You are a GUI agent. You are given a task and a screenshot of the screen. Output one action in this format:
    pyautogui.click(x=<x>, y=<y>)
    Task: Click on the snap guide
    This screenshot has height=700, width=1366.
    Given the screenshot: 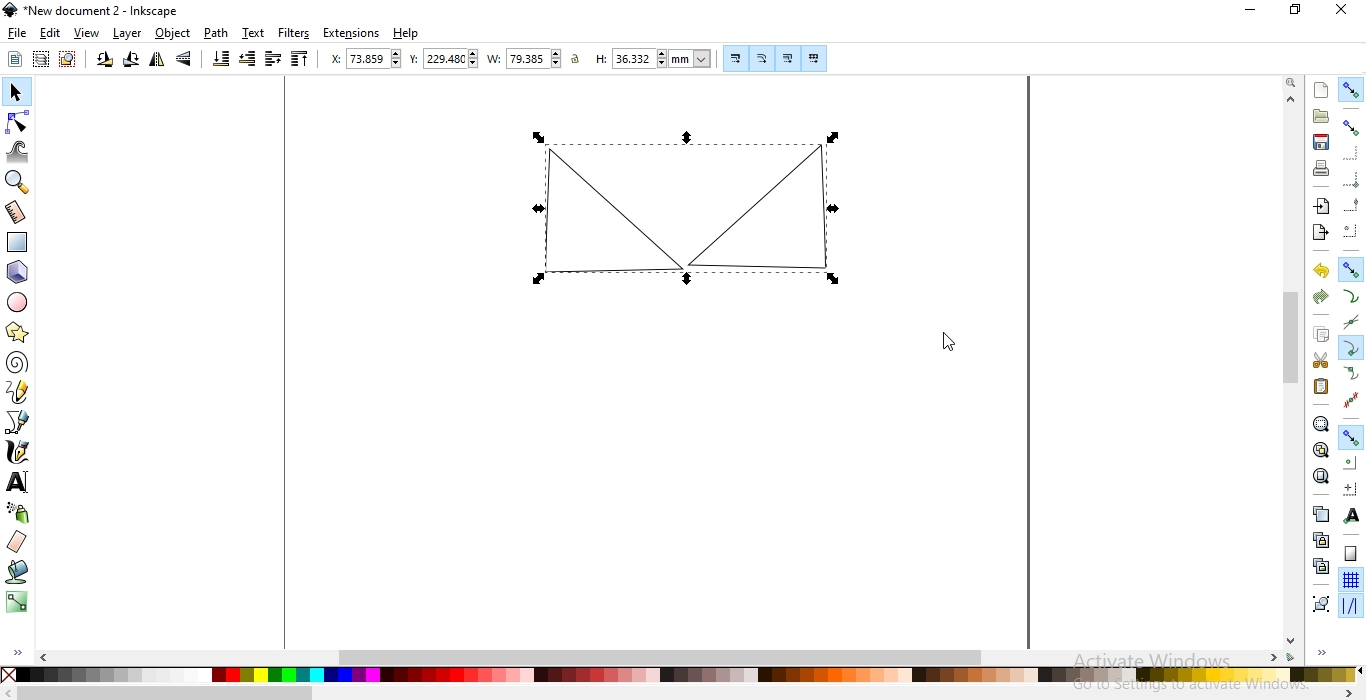 What is the action you would take?
    pyautogui.click(x=1350, y=607)
    